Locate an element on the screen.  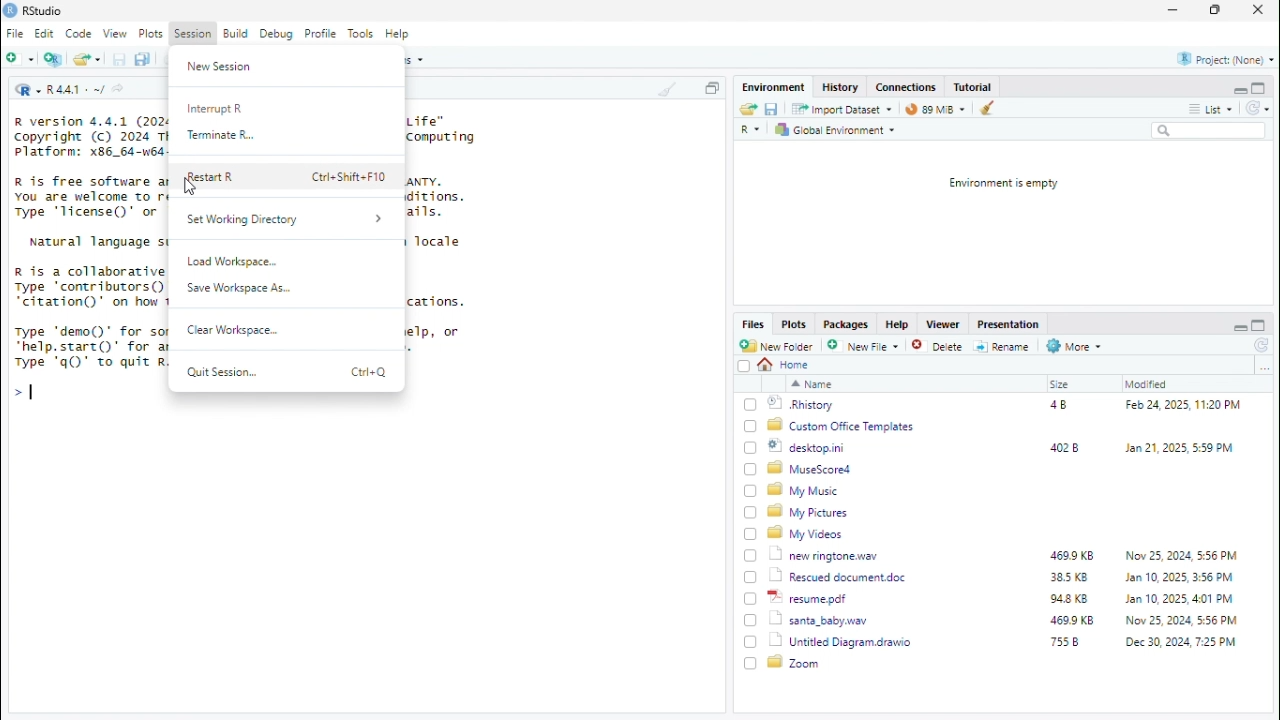
share is located at coordinates (118, 88).